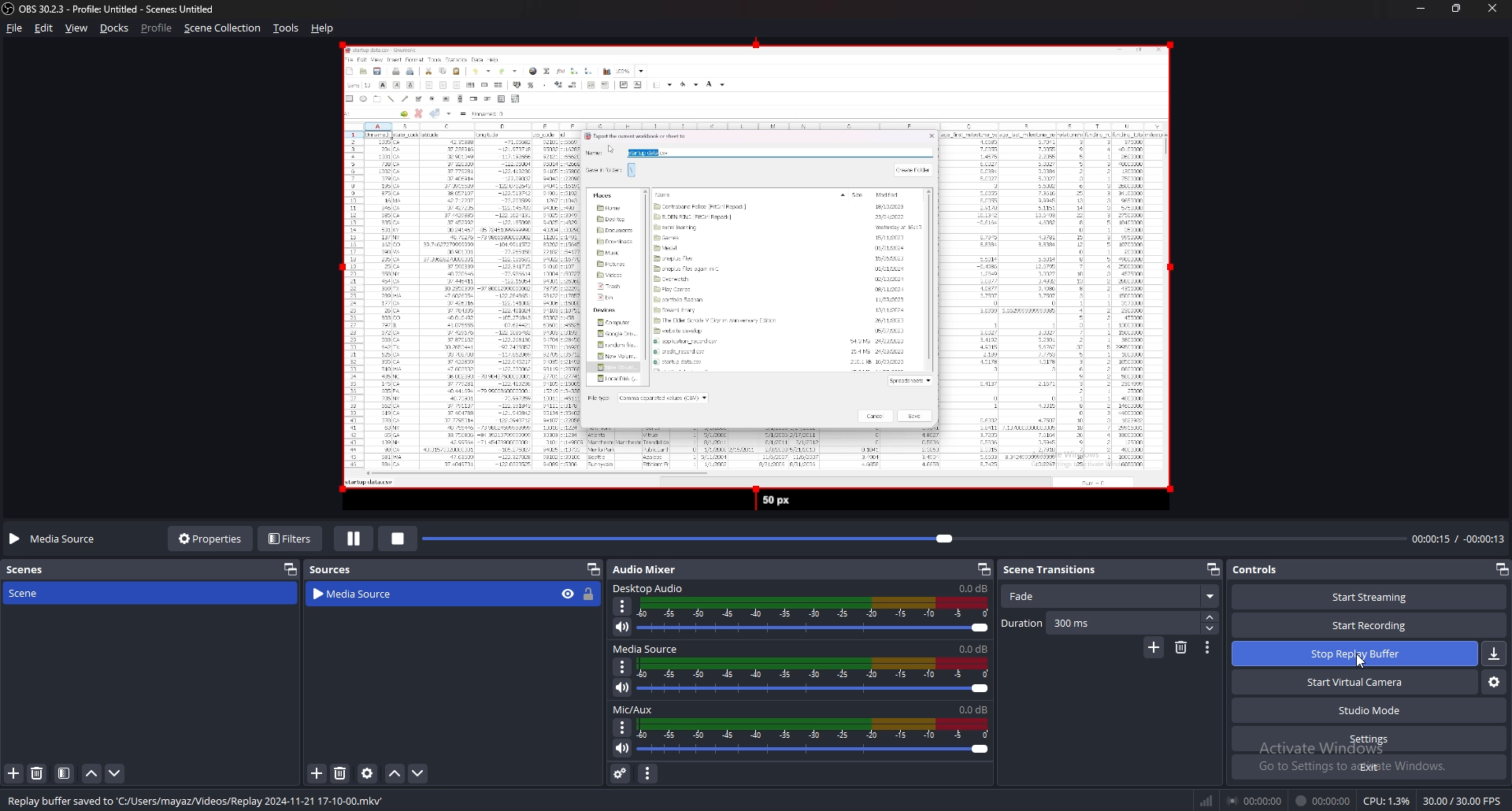  Describe the element at coordinates (1462, 801) in the screenshot. I see `30.00 / 30.00 FPS` at that location.